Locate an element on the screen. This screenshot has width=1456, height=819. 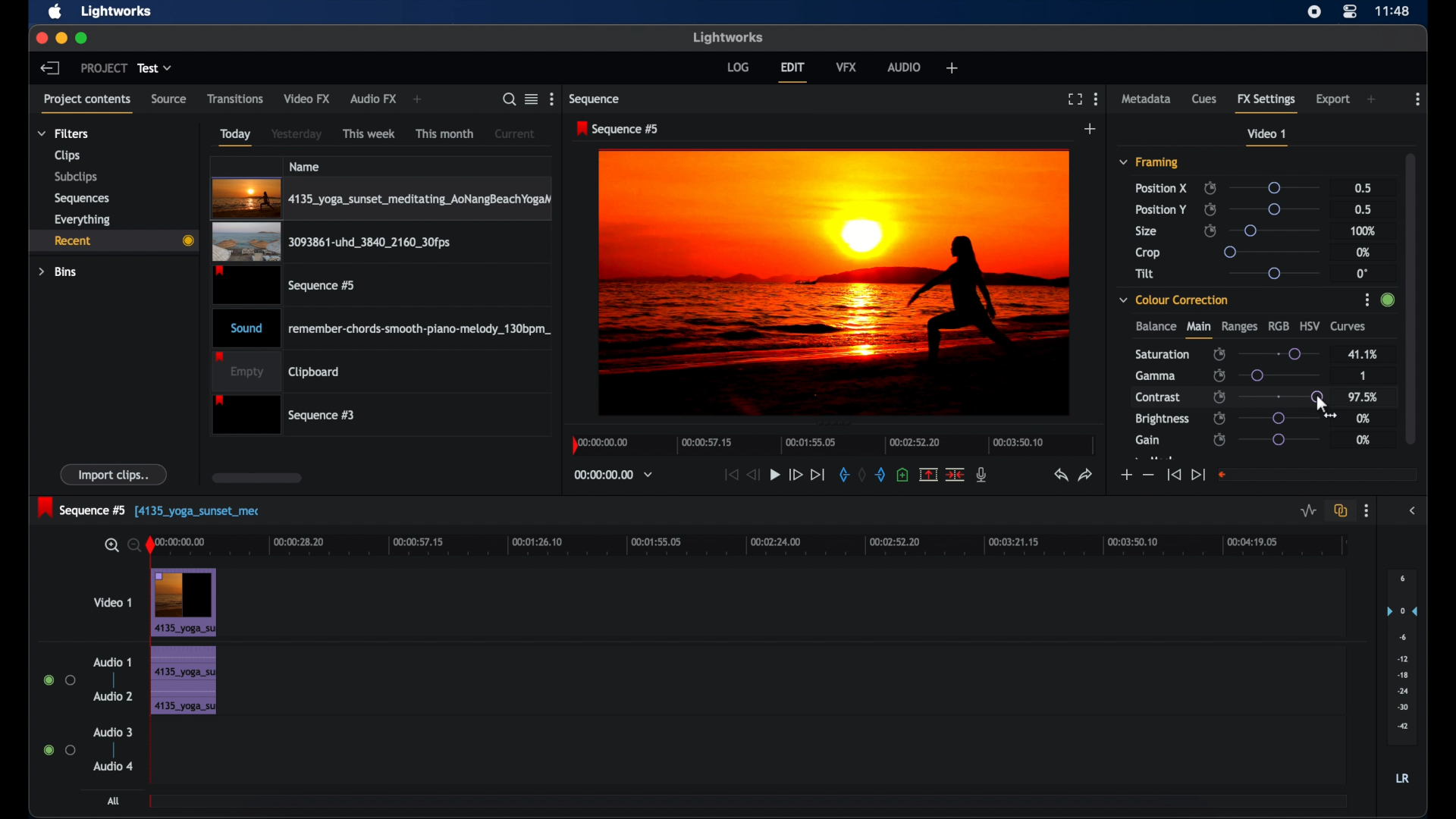
toggle list or tile view is located at coordinates (532, 99).